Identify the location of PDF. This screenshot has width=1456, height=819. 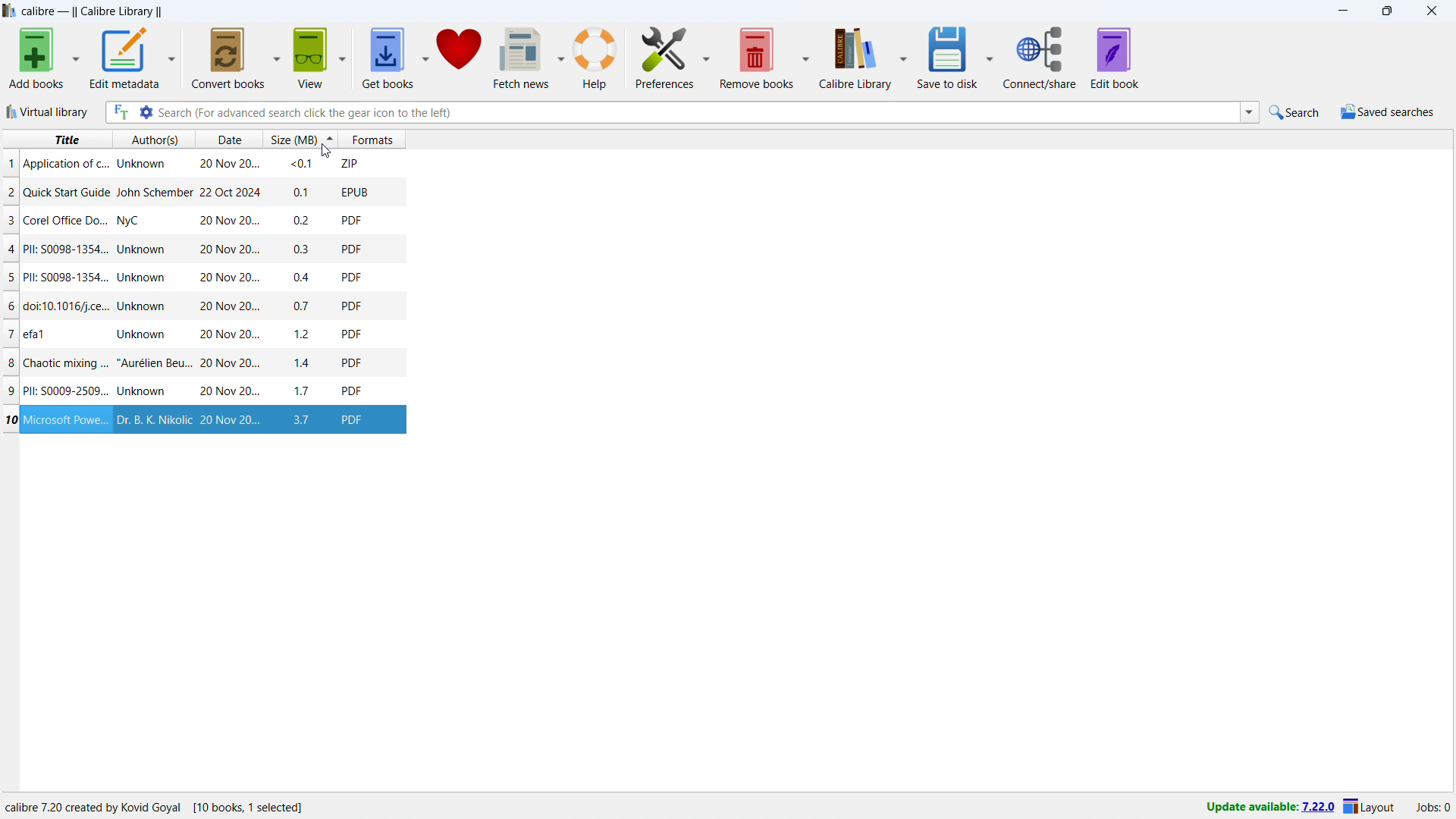
(353, 219).